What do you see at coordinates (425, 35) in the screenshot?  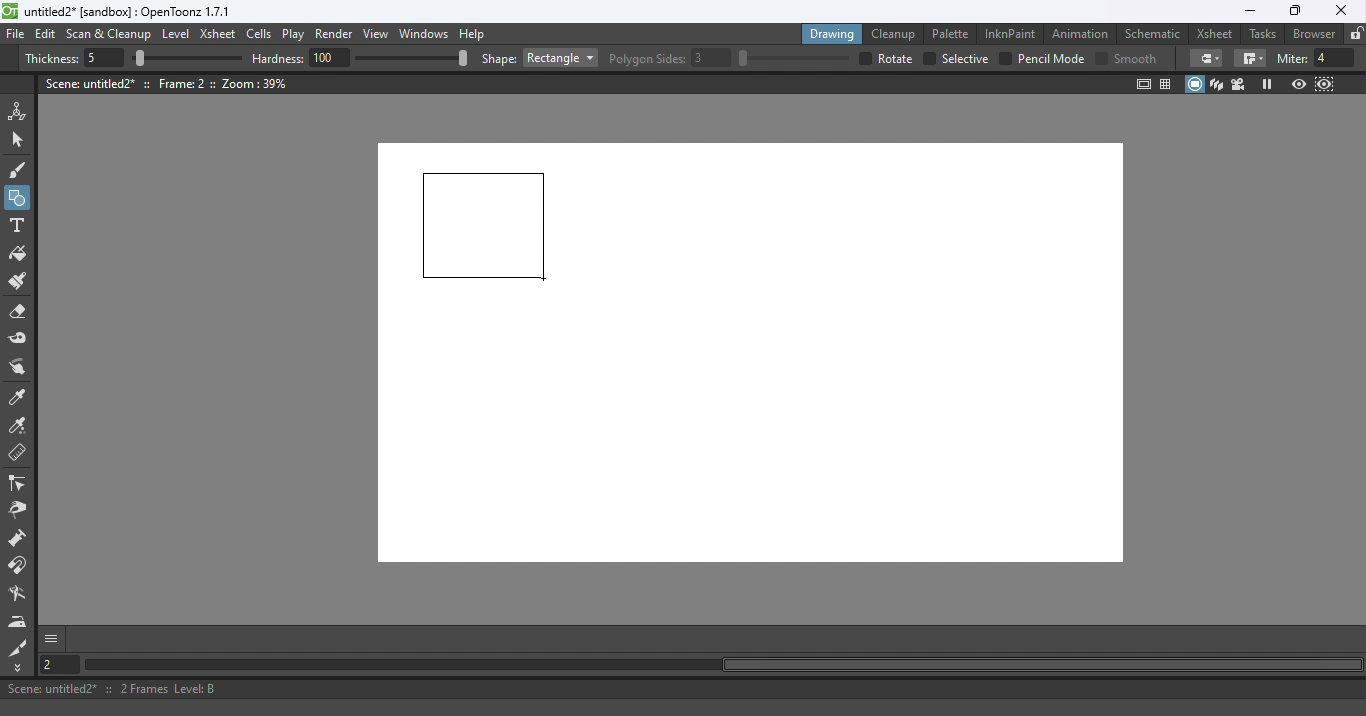 I see `Windows` at bounding box center [425, 35].